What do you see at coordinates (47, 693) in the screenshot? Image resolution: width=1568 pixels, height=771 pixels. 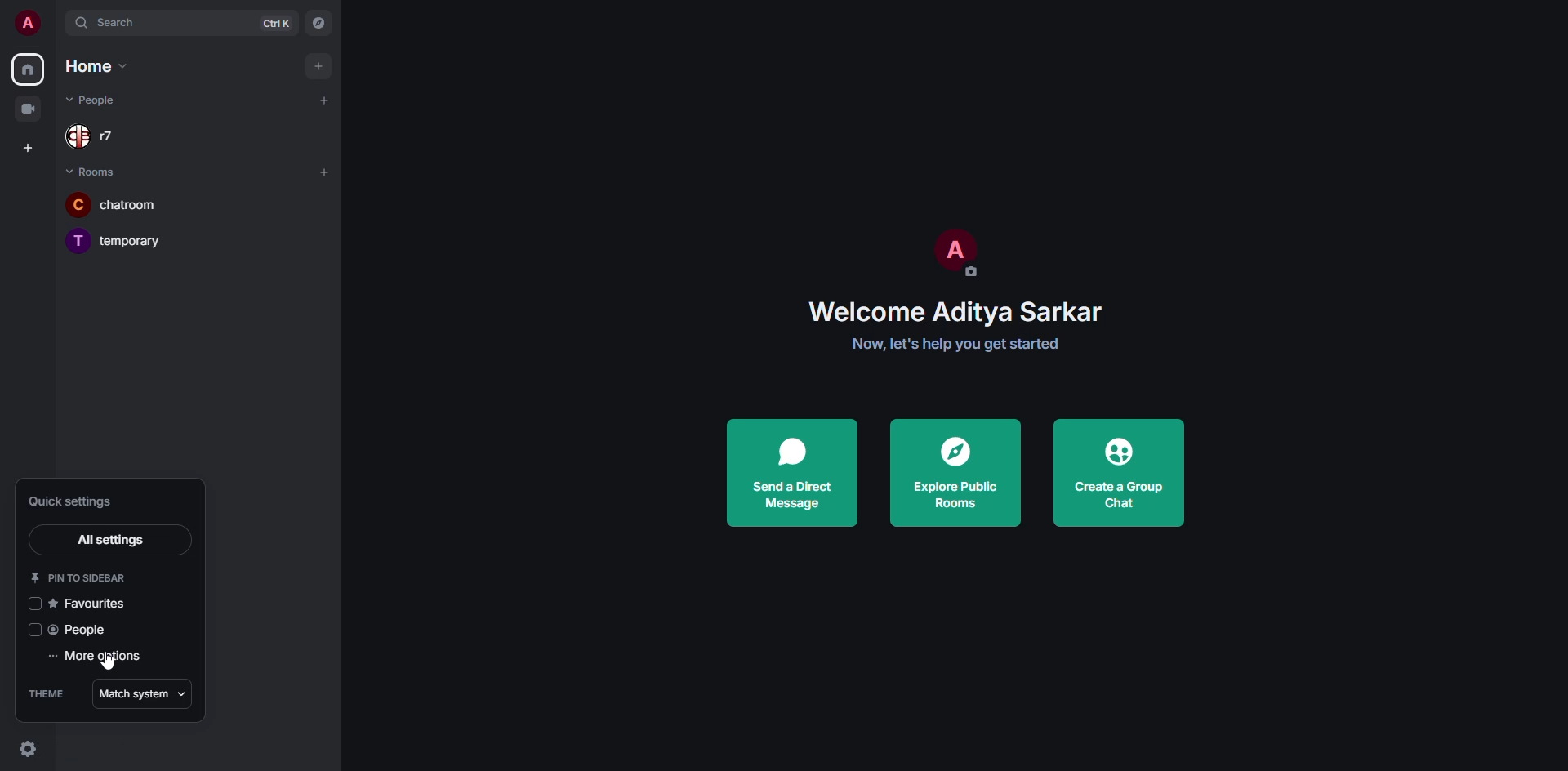 I see `theme` at bounding box center [47, 693].